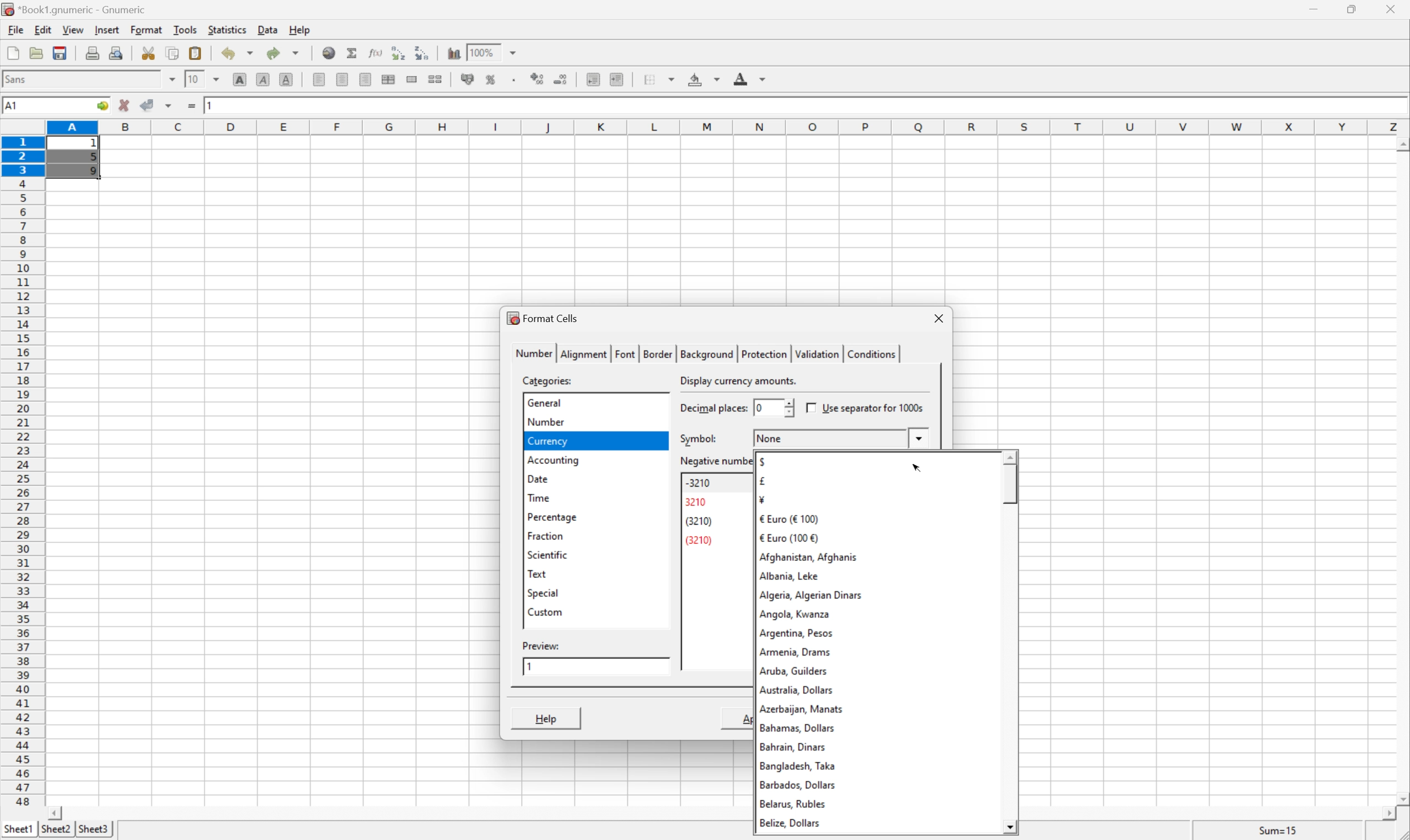  Describe the element at coordinates (354, 53) in the screenshot. I see `sum in current cell` at that location.